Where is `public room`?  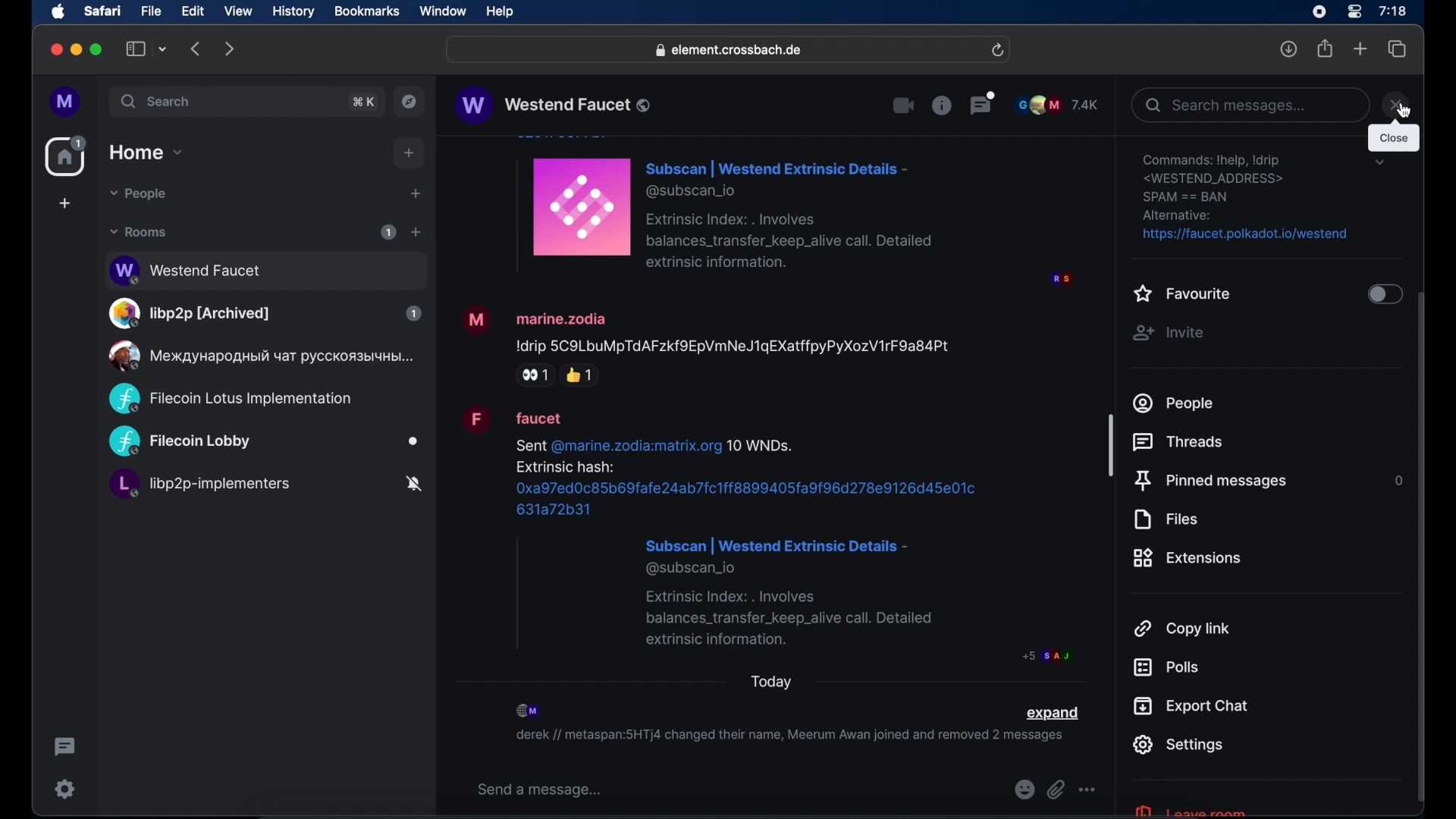 public room is located at coordinates (265, 268).